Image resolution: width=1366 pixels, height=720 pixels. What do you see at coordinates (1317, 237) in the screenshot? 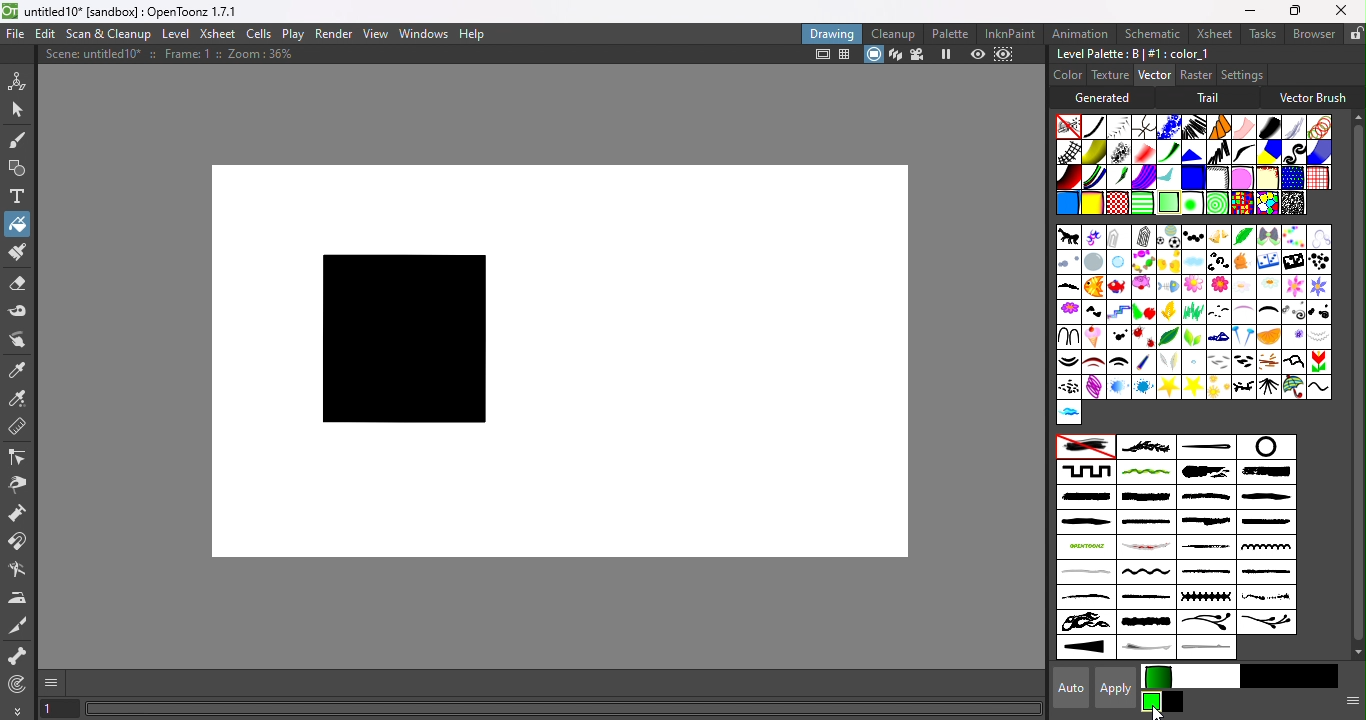
I see `Brush2` at bounding box center [1317, 237].